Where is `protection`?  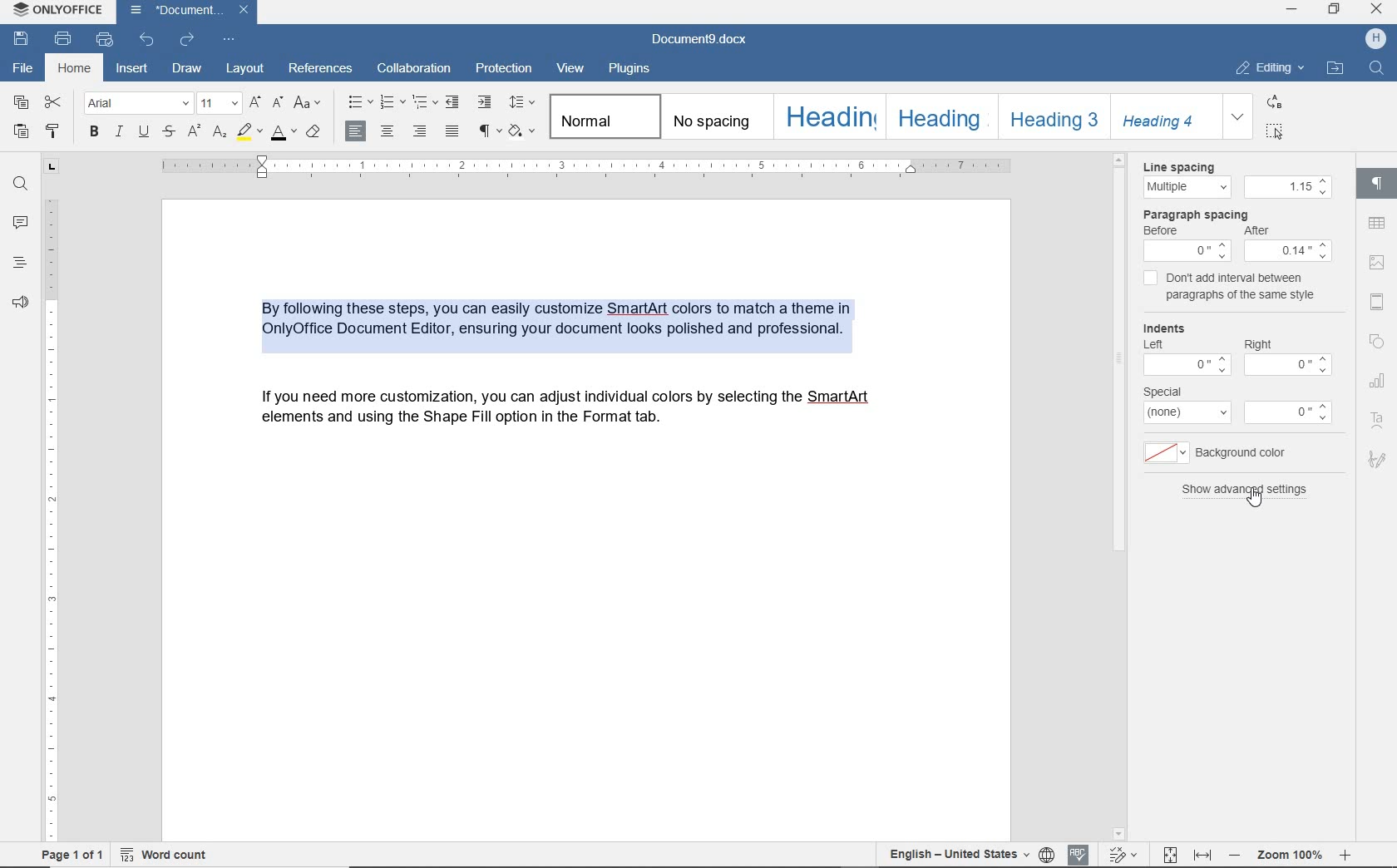 protection is located at coordinates (505, 70).